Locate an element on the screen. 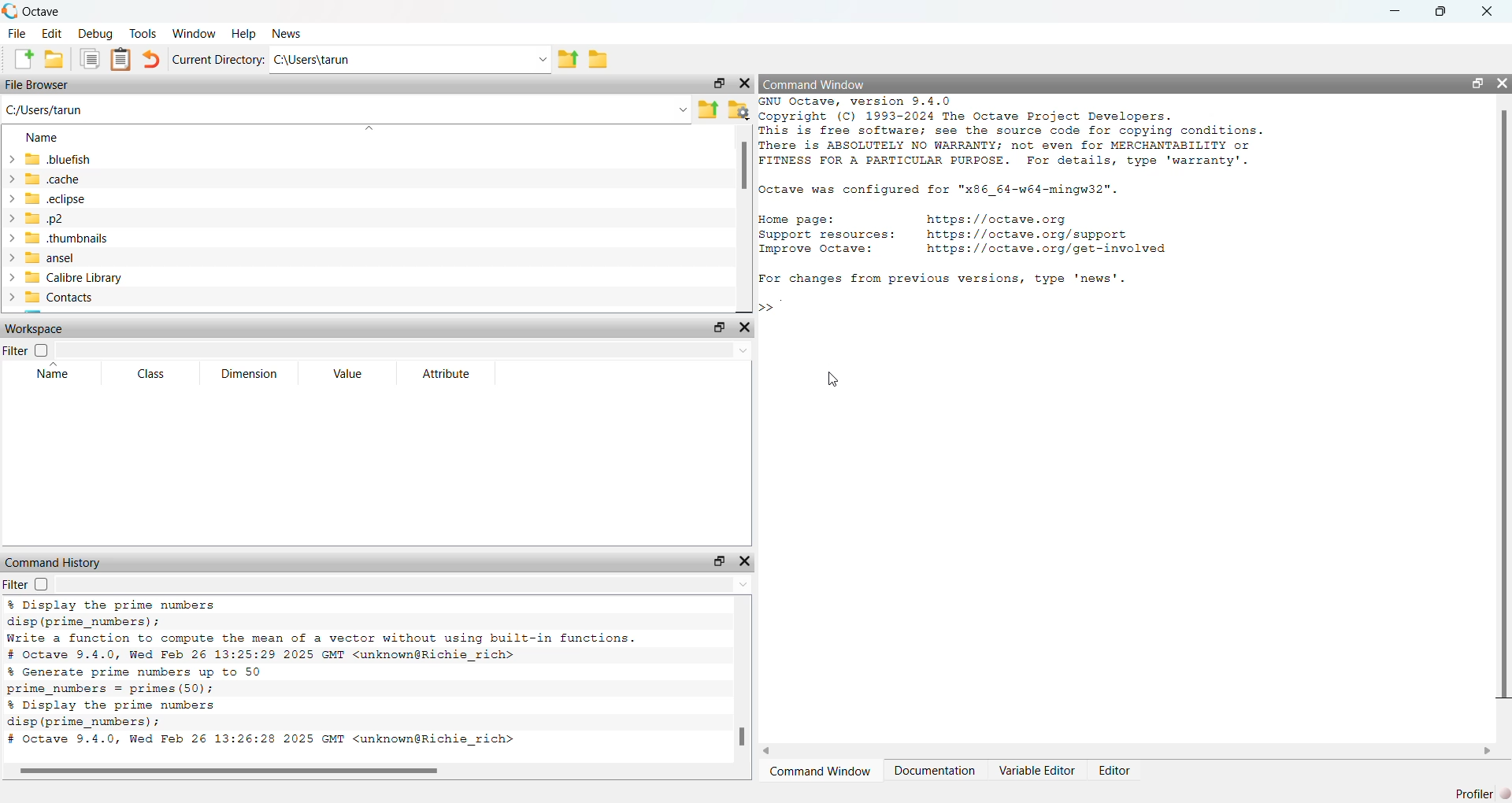 The height and width of the screenshot is (803, 1512). Drop-down  is located at coordinates (683, 109).